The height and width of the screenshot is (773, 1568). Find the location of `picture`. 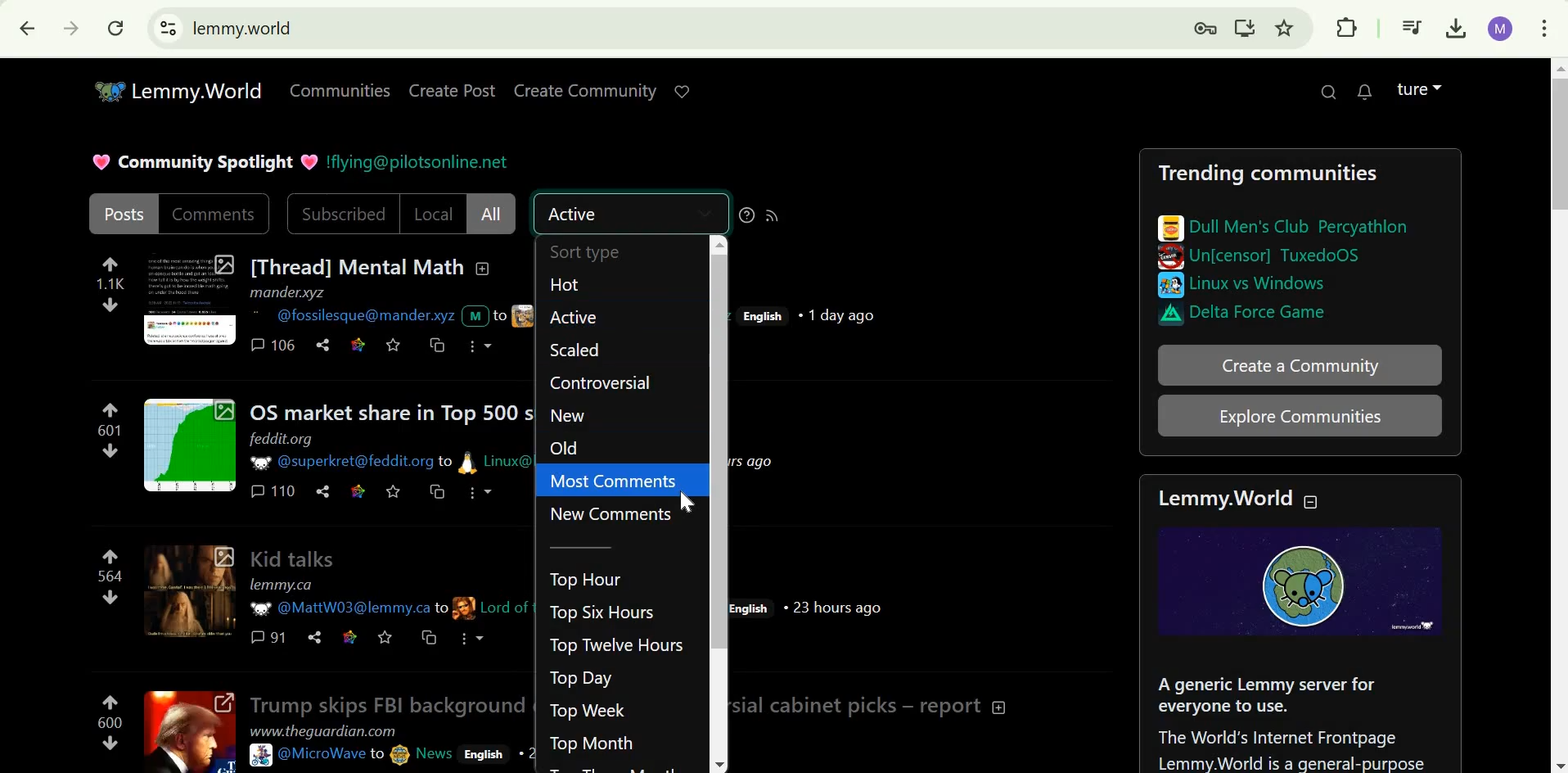

picture is located at coordinates (468, 461).